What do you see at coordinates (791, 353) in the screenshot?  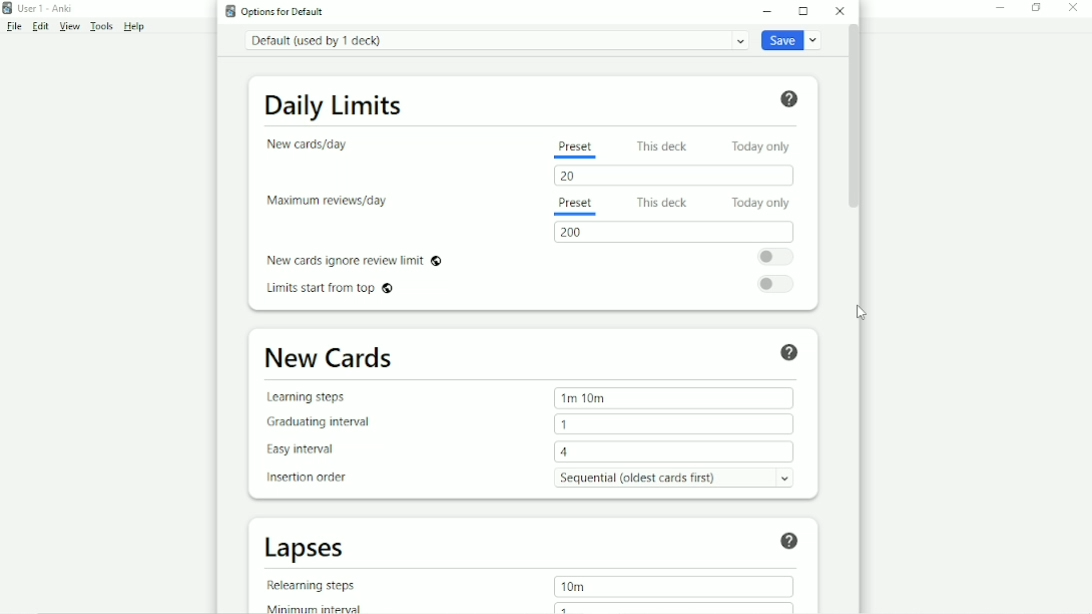 I see `Help` at bounding box center [791, 353].